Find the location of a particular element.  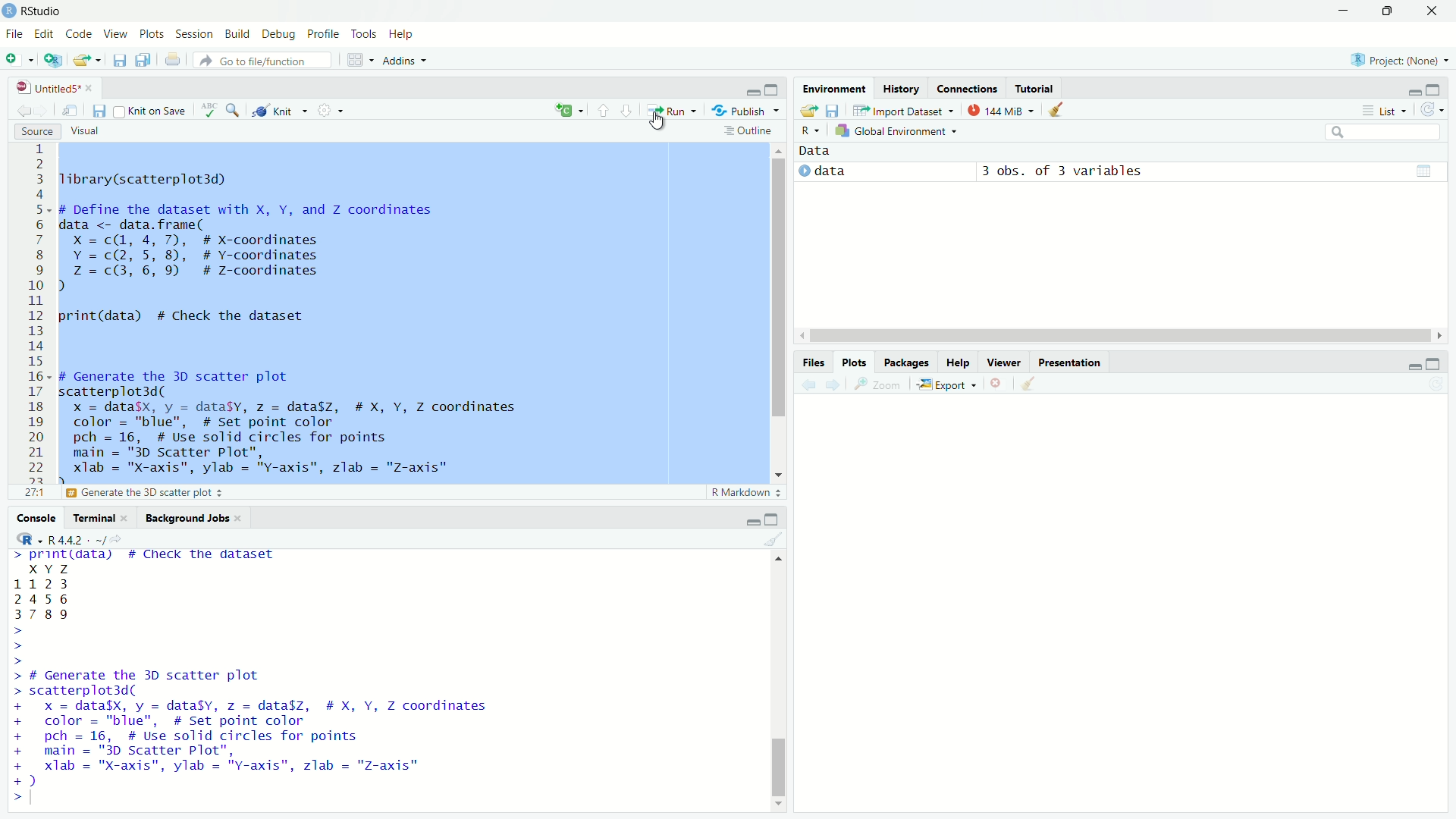

environment is located at coordinates (833, 88).